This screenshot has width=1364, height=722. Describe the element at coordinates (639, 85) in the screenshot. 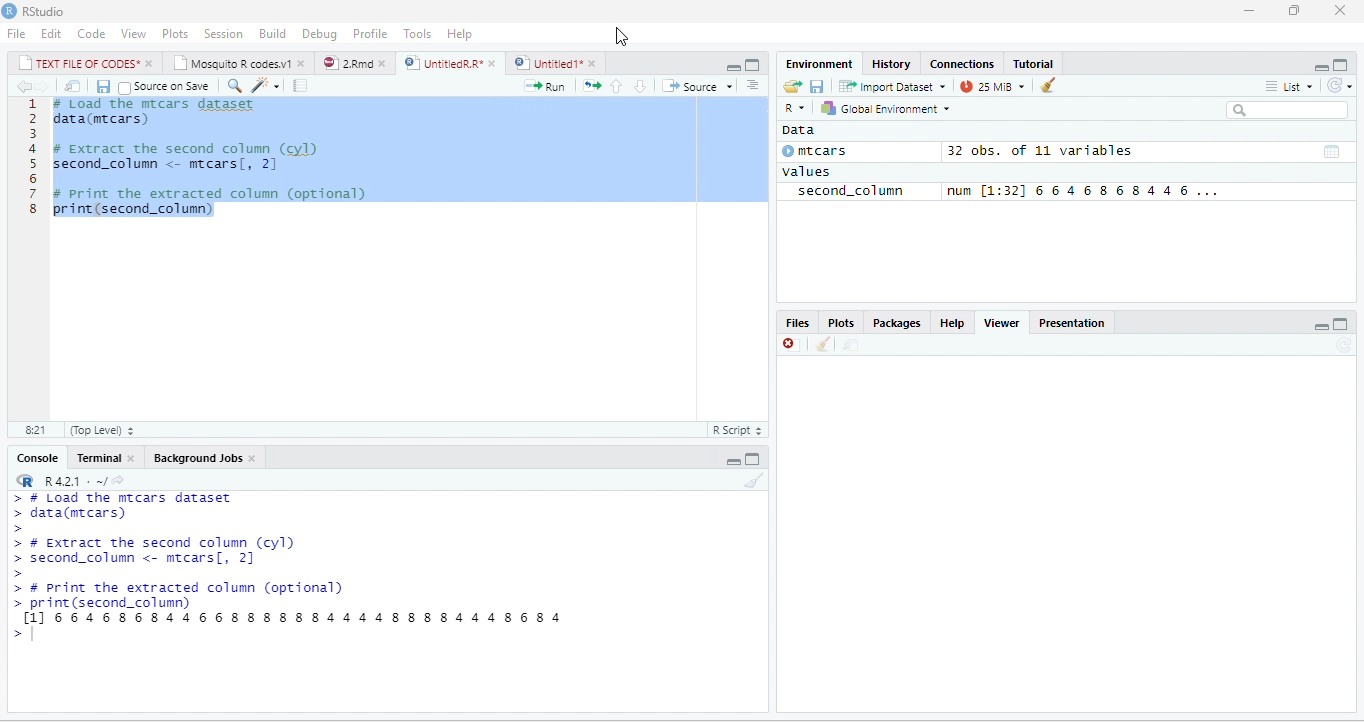

I see `go to next section/chunk` at that location.